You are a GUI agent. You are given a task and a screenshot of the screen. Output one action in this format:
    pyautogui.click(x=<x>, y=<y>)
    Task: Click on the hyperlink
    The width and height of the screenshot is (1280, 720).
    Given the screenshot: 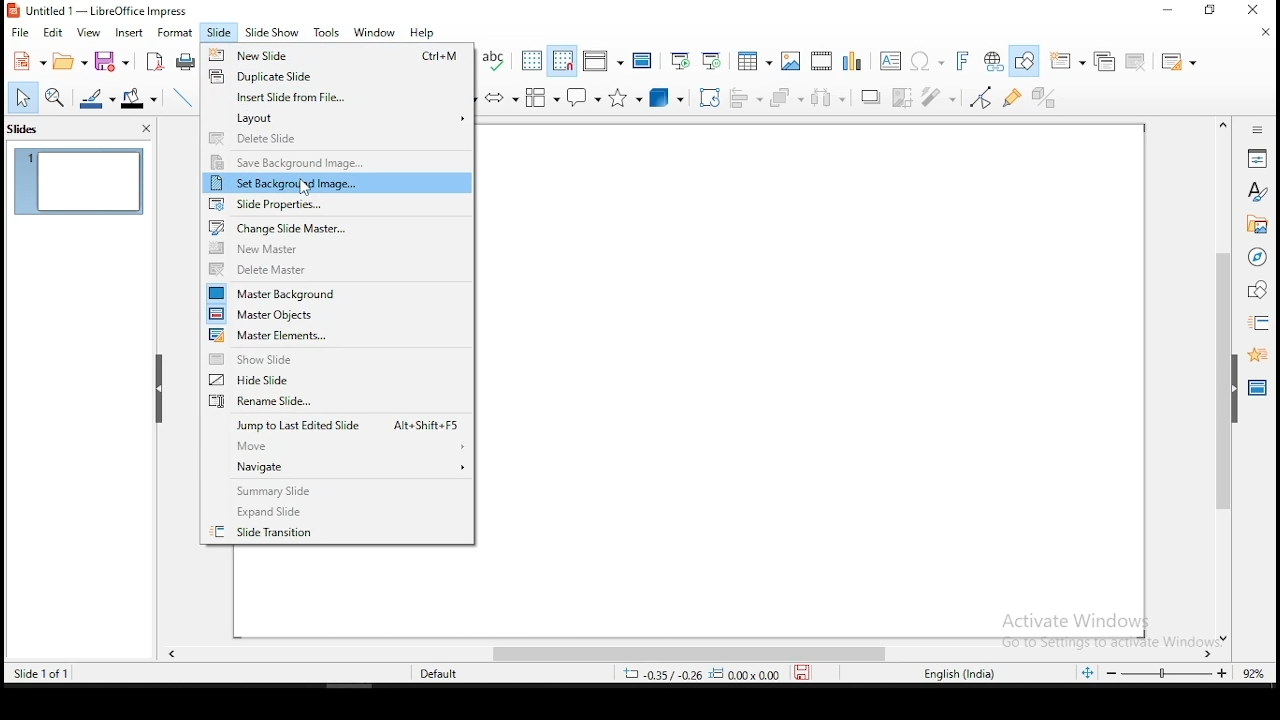 What is the action you would take?
    pyautogui.click(x=993, y=62)
    